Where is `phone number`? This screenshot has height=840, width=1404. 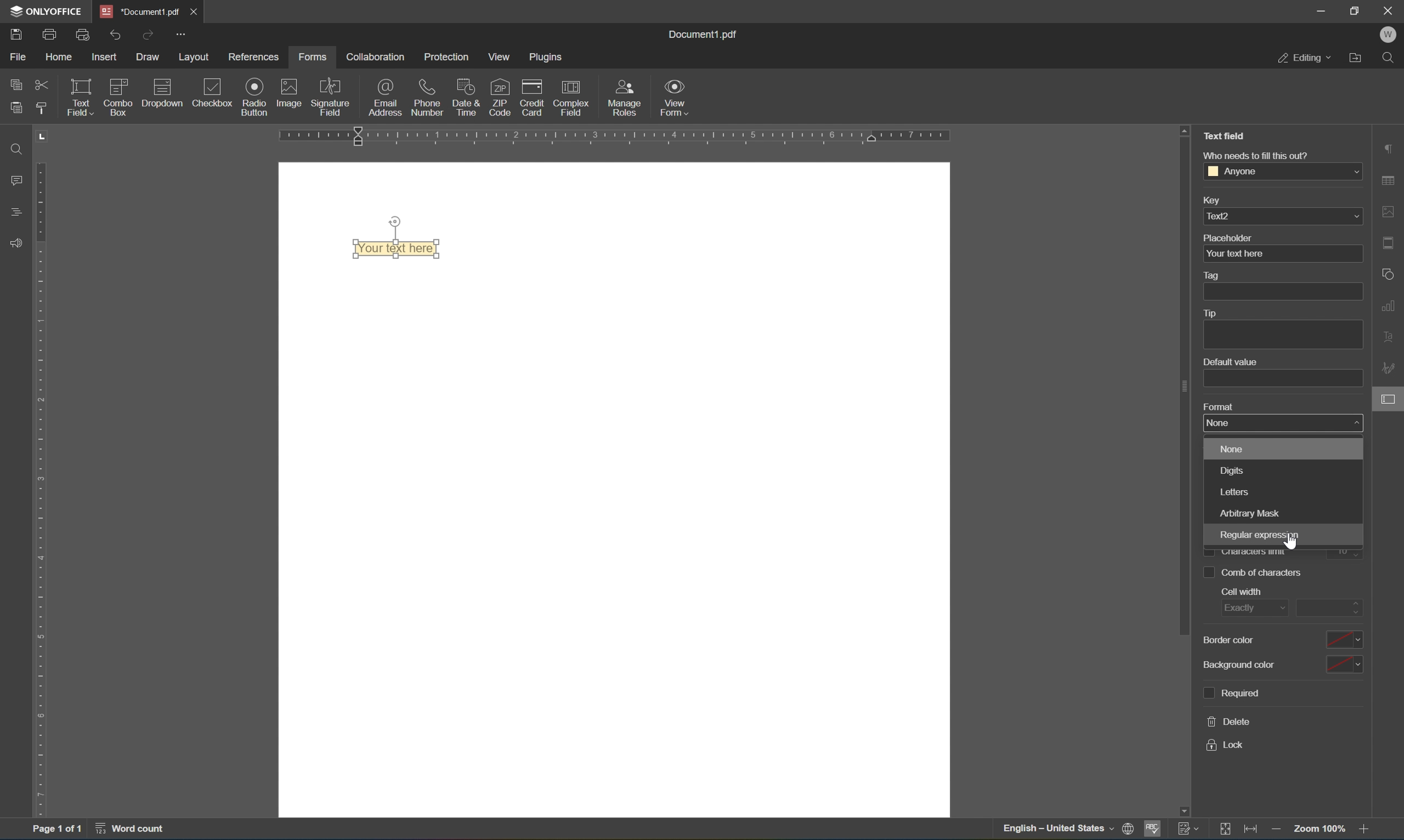
phone number is located at coordinates (426, 96).